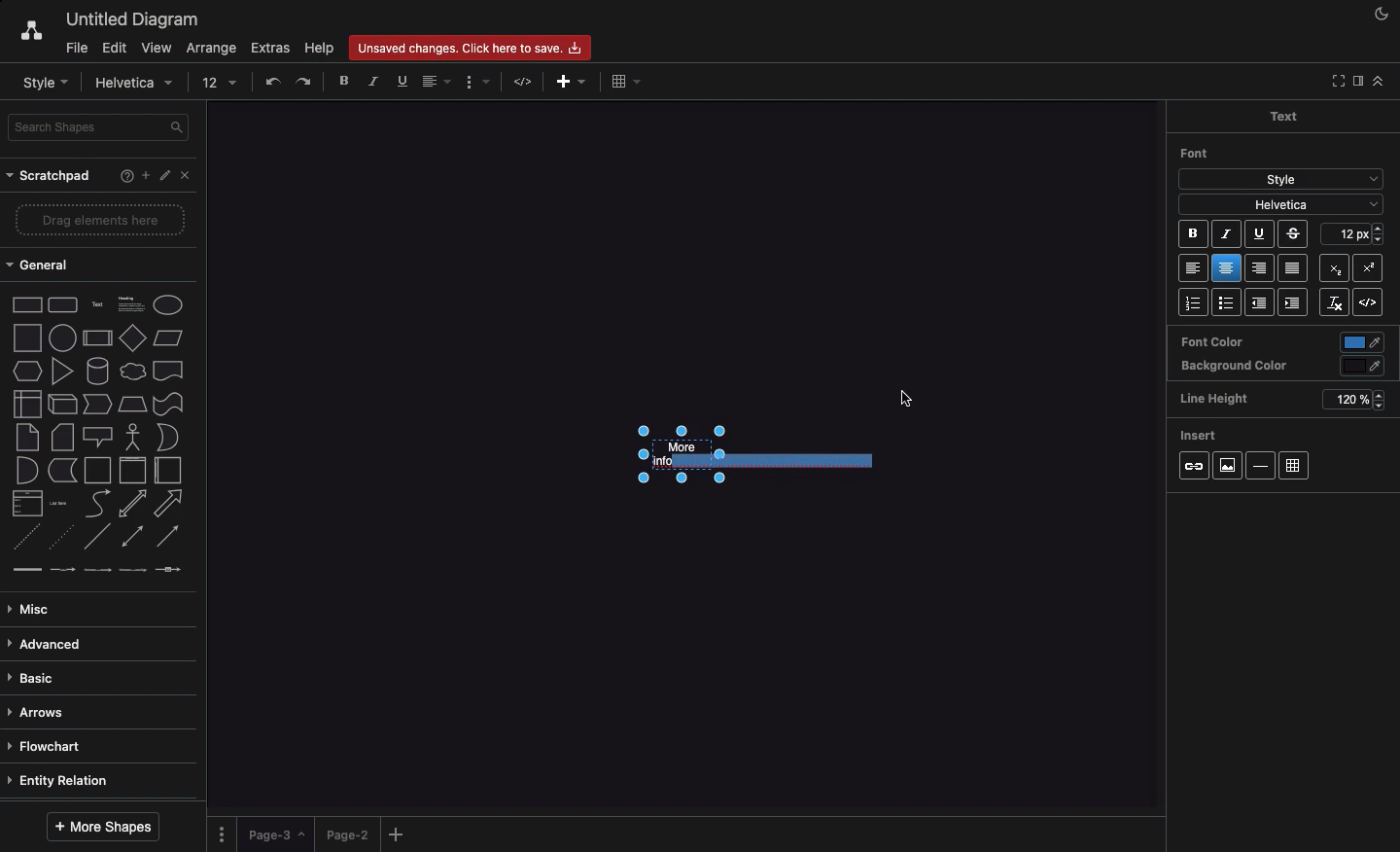 The image size is (1400, 852). What do you see at coordinates (305, 82) in the screenshot?
I see `Redo` at bounding box center [305, 82].